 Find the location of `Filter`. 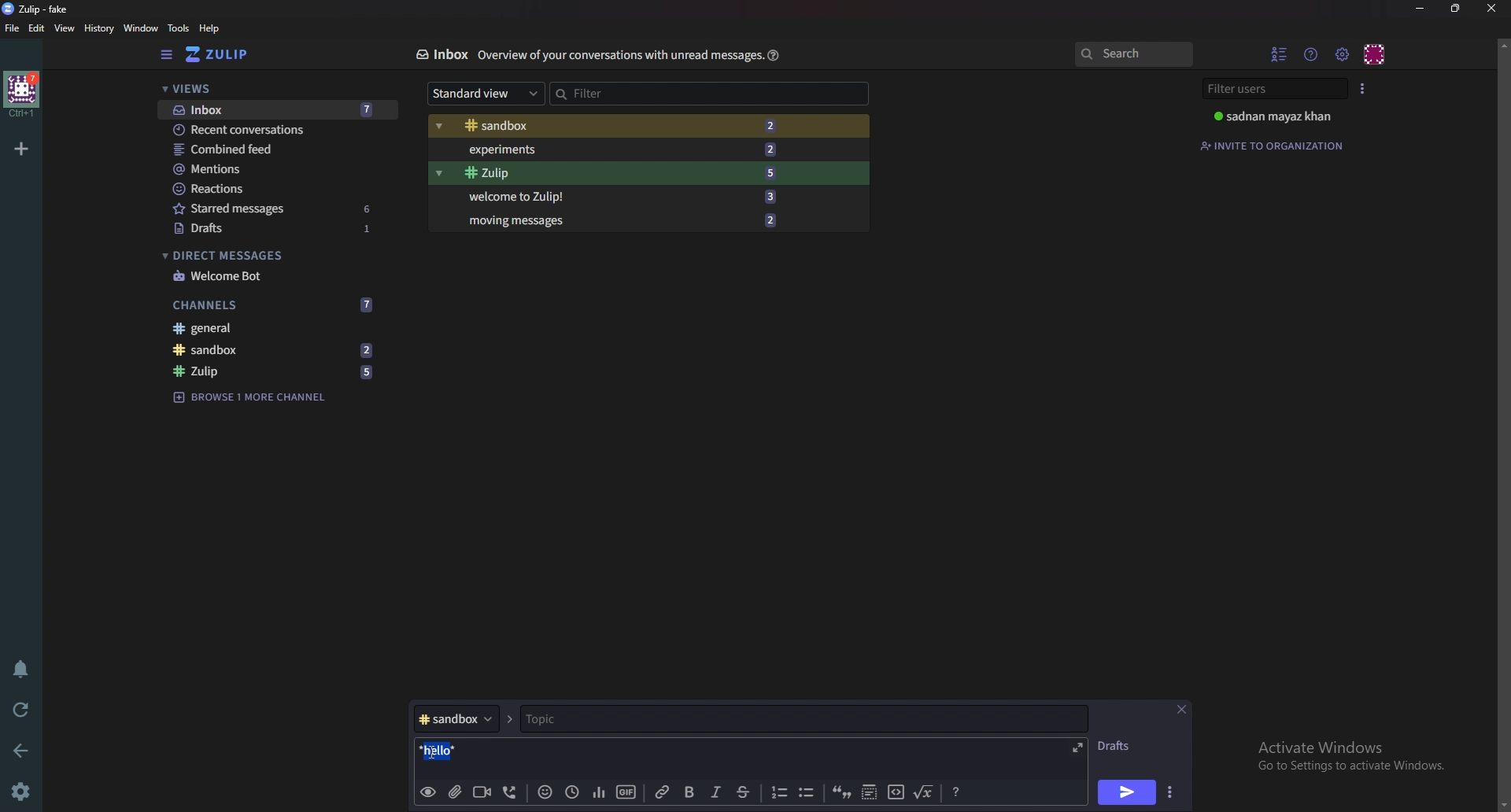

Filter is located at coordinates (661, 93).